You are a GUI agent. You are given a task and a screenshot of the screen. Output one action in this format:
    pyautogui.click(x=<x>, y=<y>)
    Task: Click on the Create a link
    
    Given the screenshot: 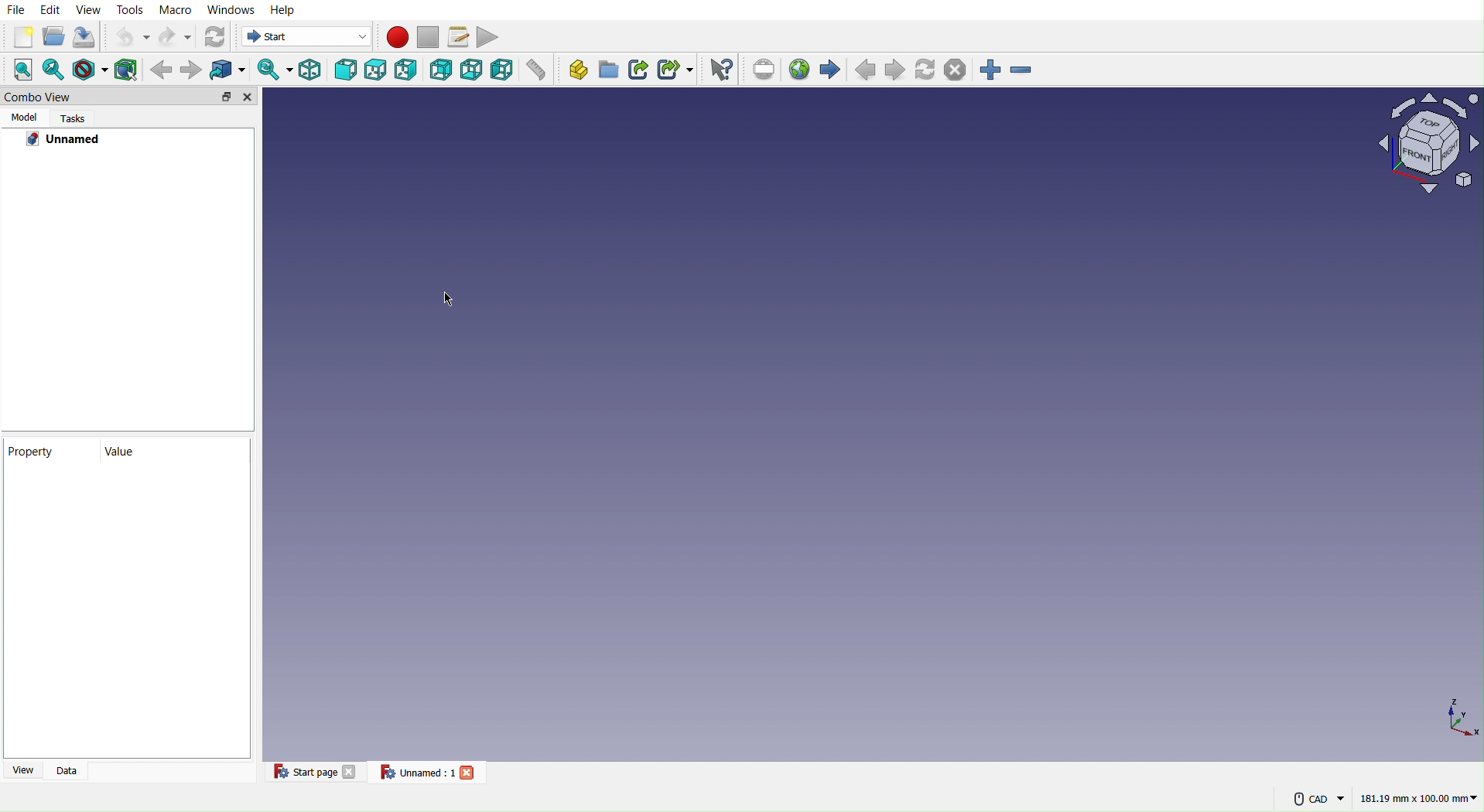 What is the action you would take?
    pyautogui.click(x=638, y=70)
    